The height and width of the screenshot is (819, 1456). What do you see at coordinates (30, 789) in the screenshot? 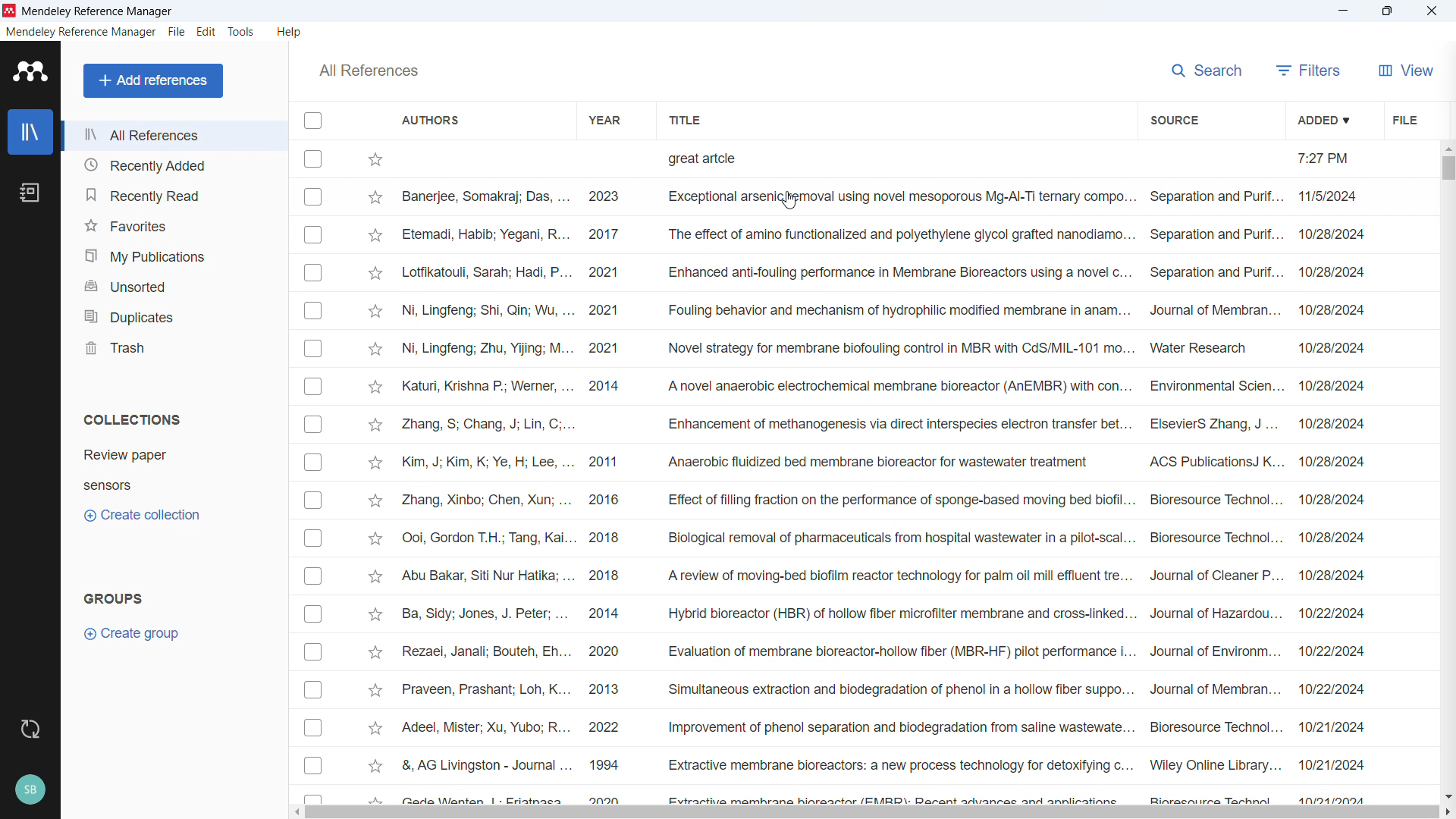
I see `` at bounding box center [30, 789].